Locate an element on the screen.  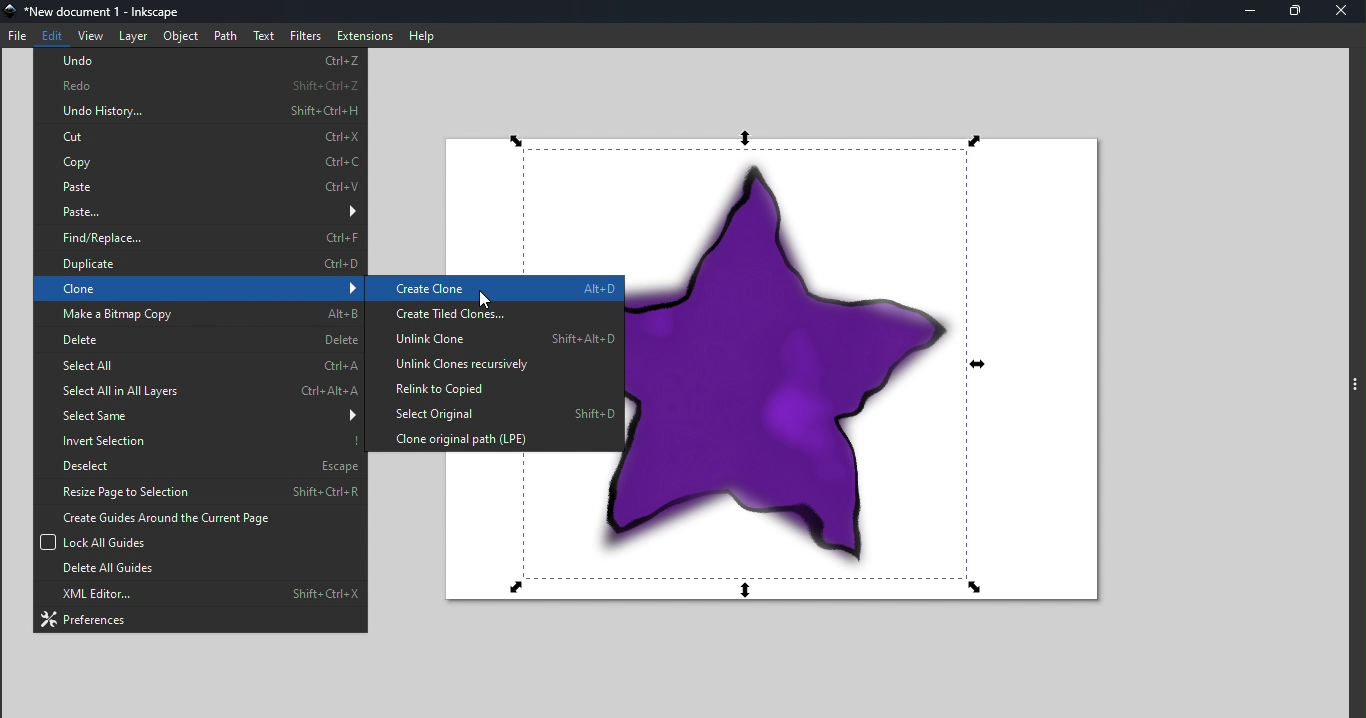
Edit is located at coordinates (54, 33).